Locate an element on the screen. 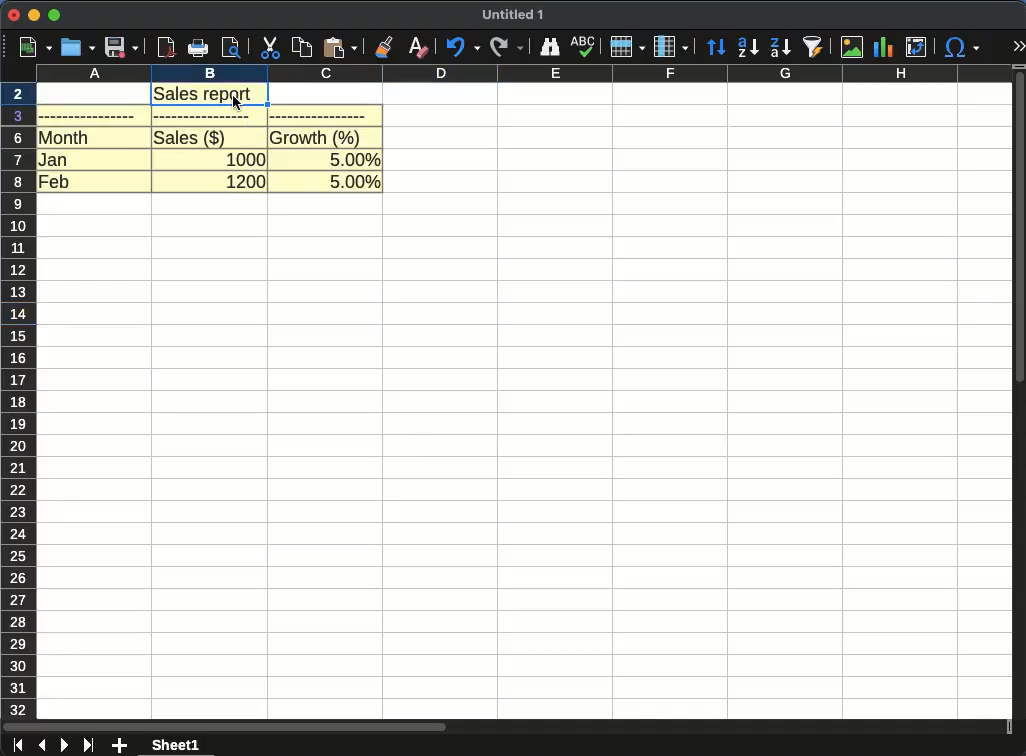 The height and width of the screenshot is (756, 1026). spell check is located at coordinates (582, 46).